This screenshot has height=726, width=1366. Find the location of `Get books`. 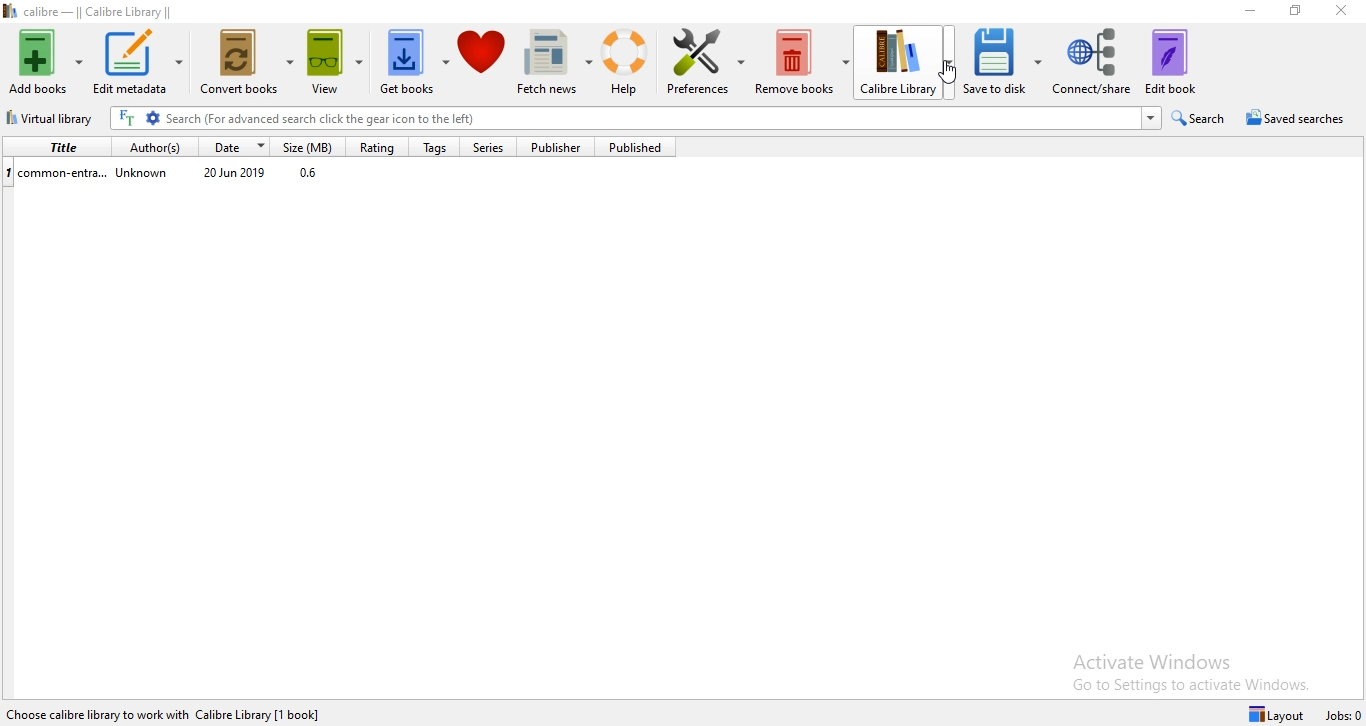

Get books is located at coordinates (414, 65).